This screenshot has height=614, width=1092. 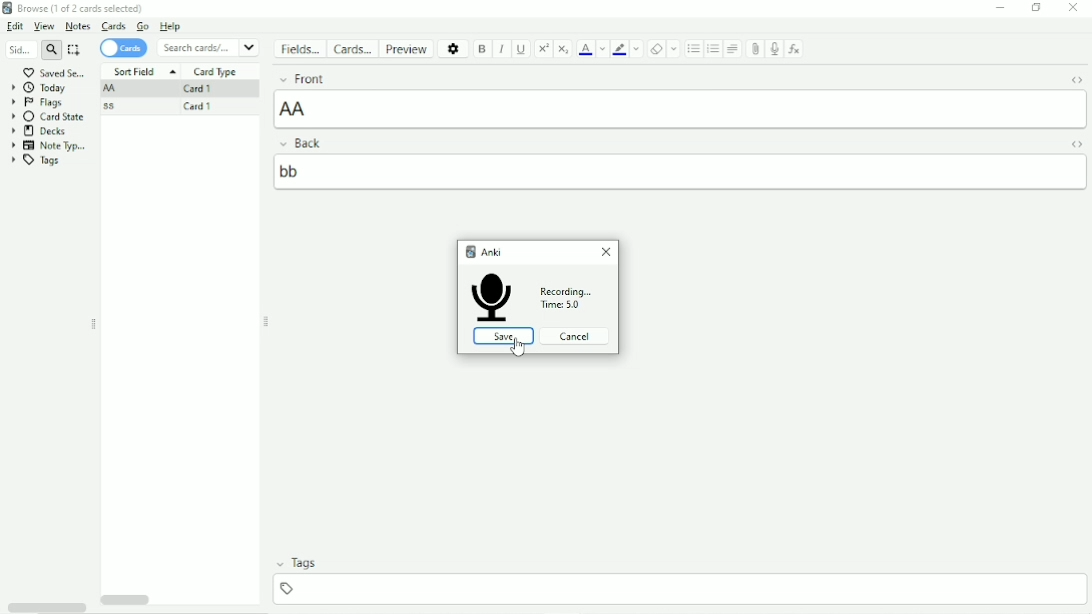 I want to click on Italic, so click(x=502, y=50).